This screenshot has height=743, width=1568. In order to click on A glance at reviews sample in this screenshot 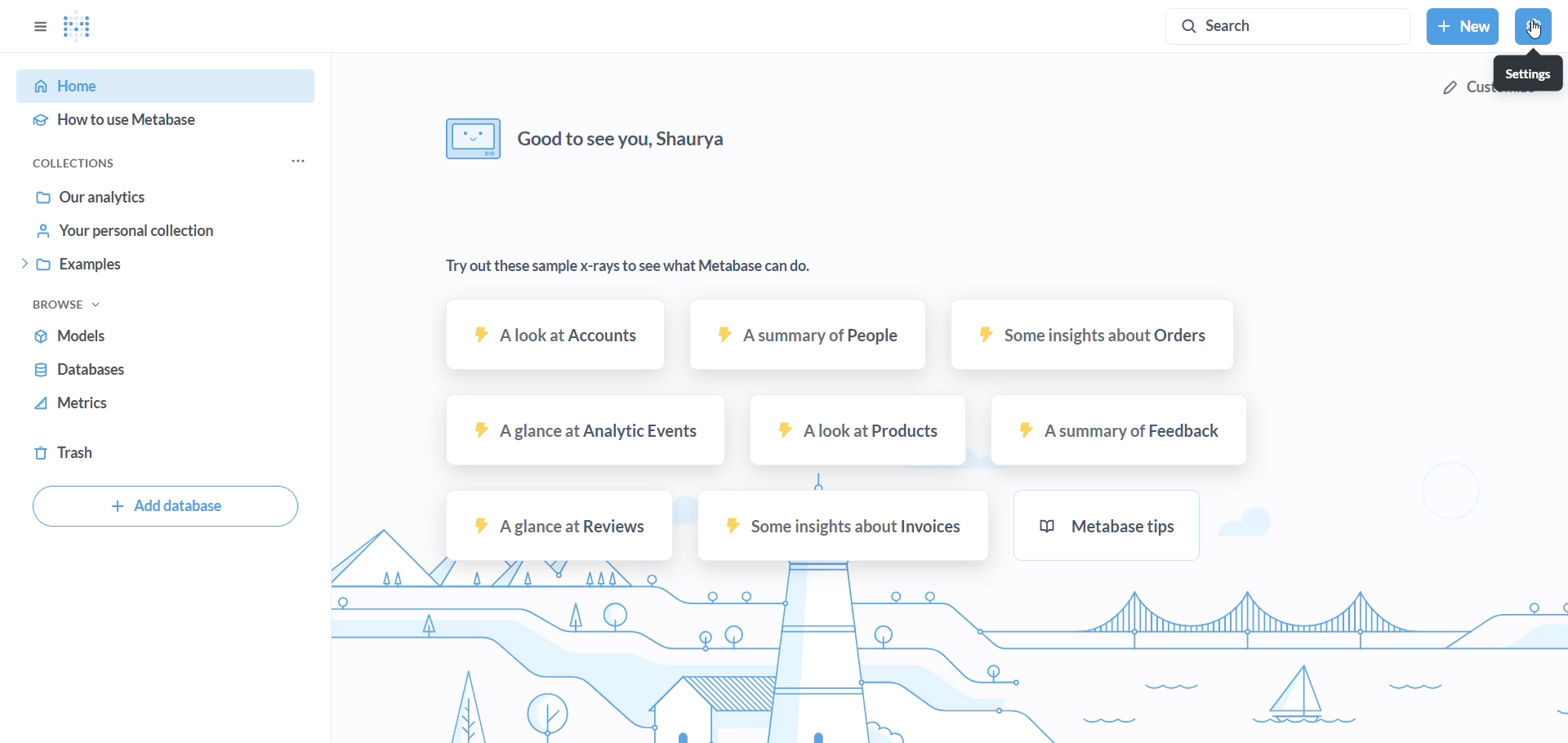, I will do `click(558, 525)`.